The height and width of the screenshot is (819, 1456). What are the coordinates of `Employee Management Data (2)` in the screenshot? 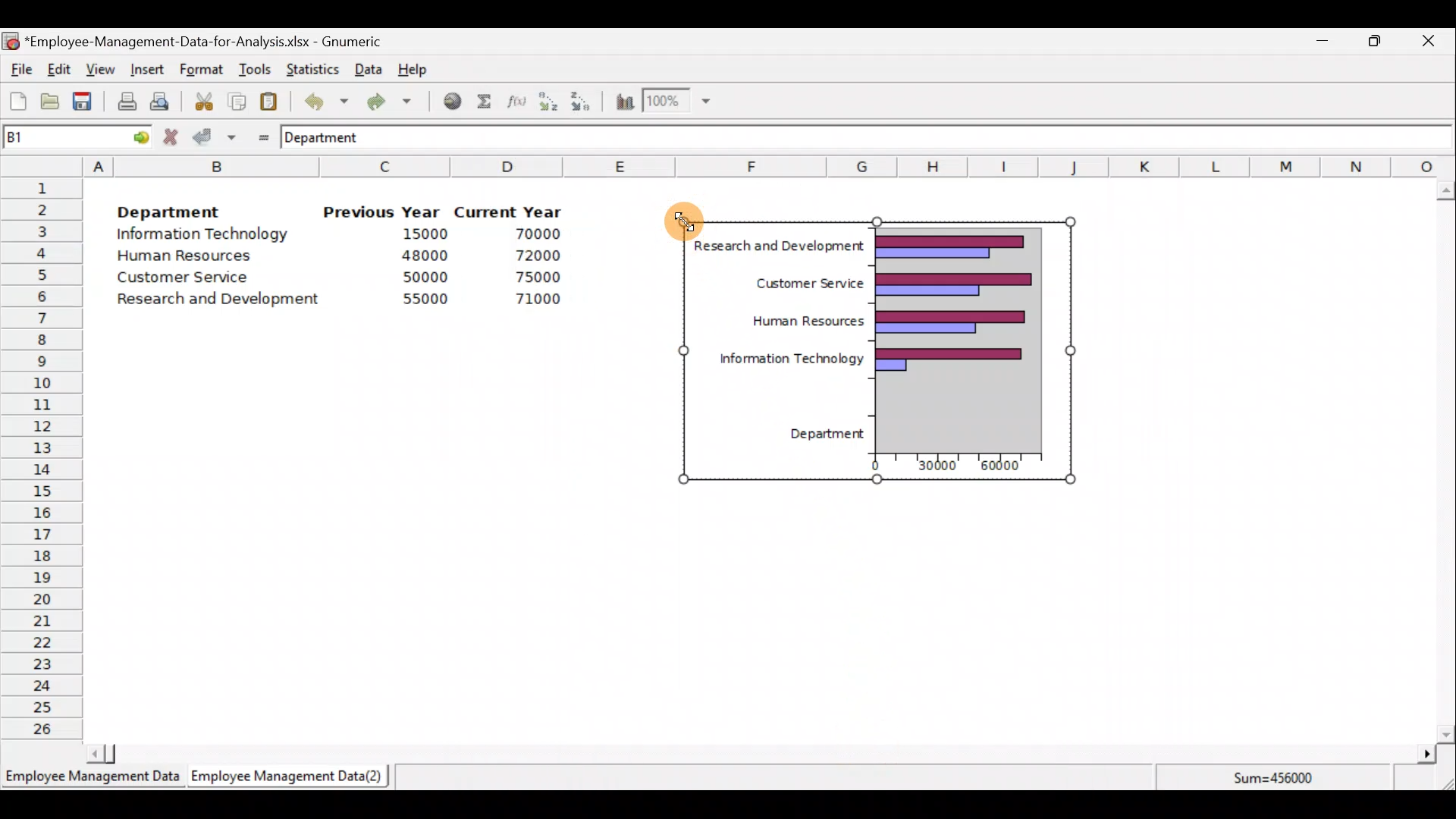 It's located at (290, 777).